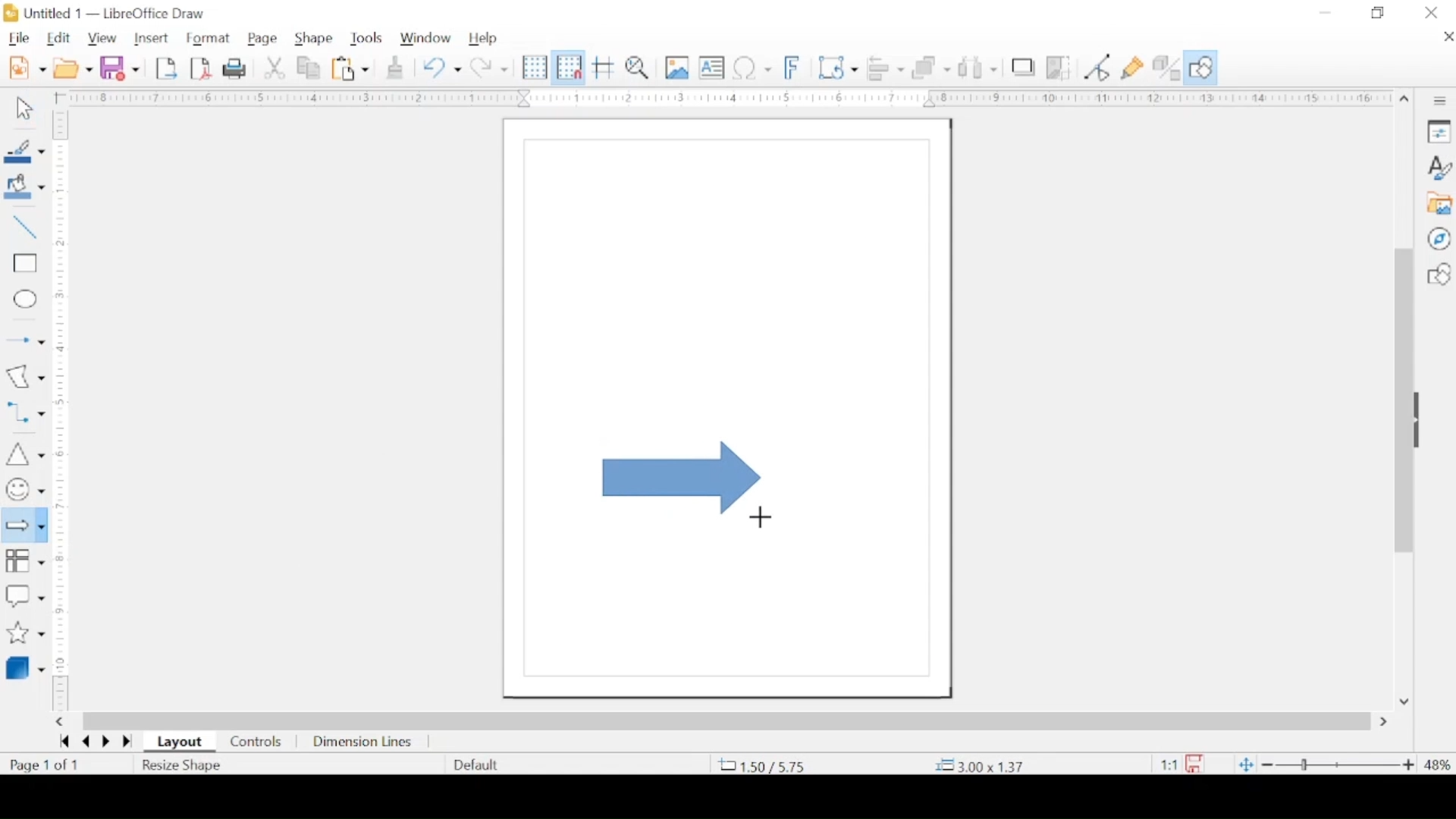  I want to click on symbols, so click(24, 490).